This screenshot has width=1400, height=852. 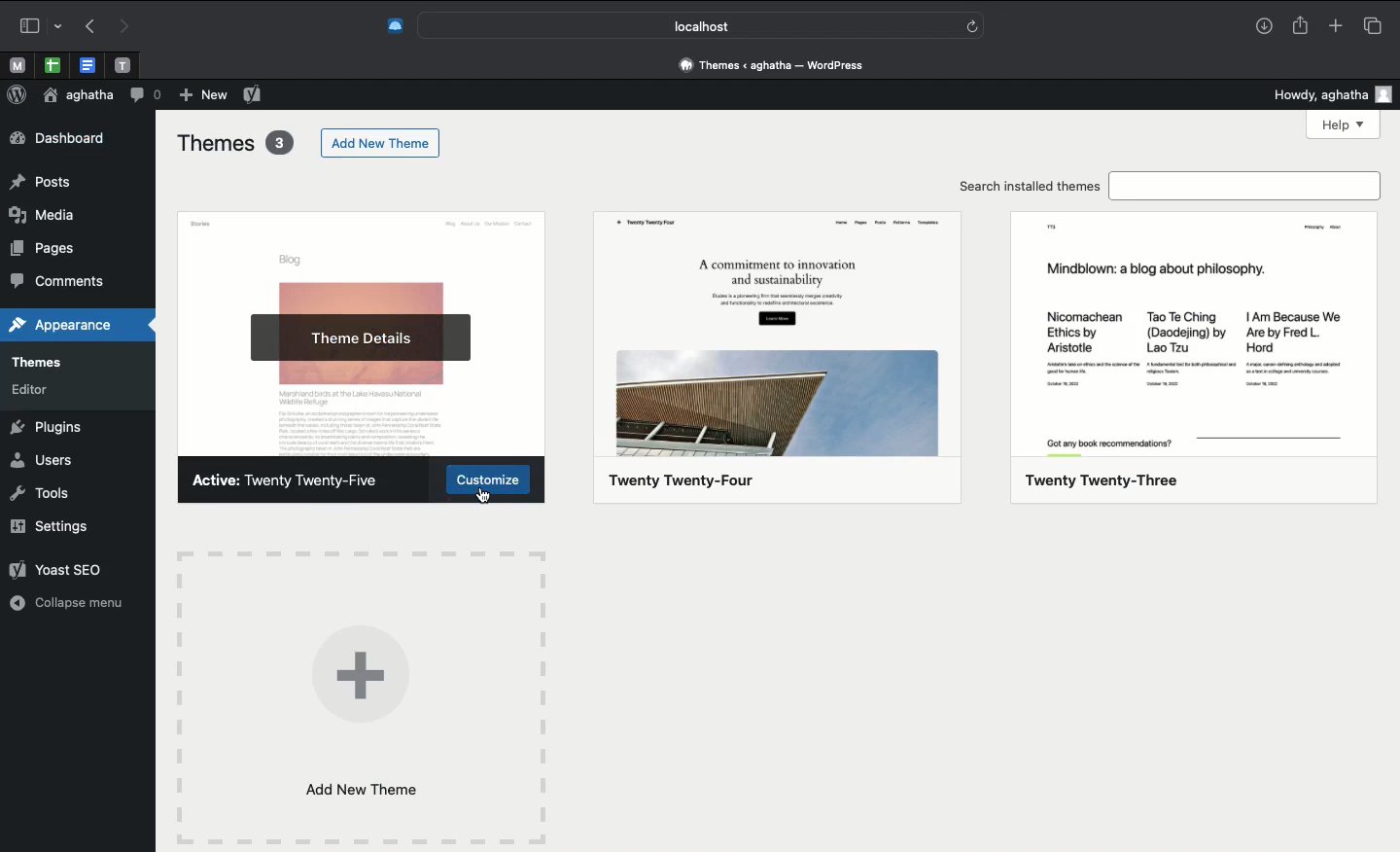 I want to click on Add new tab, so click(x=1335, y=22).